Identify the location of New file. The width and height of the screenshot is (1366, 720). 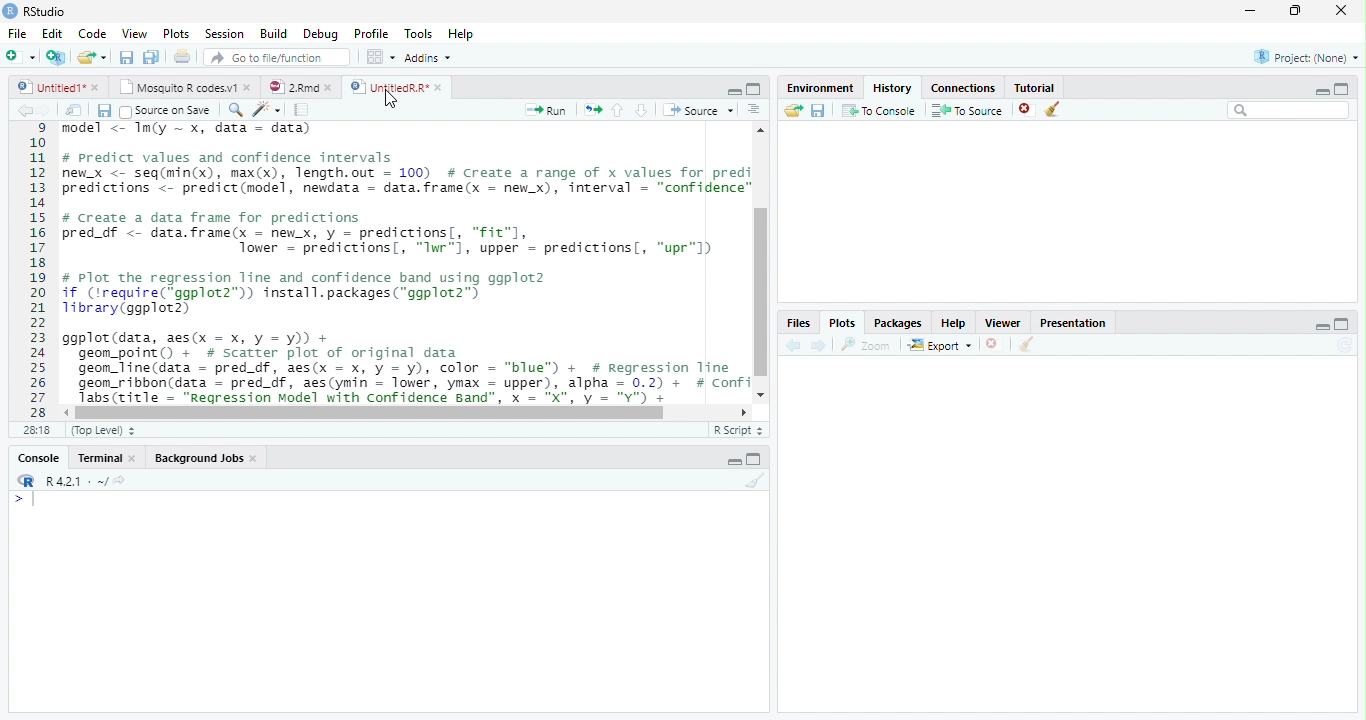
(20, 57).